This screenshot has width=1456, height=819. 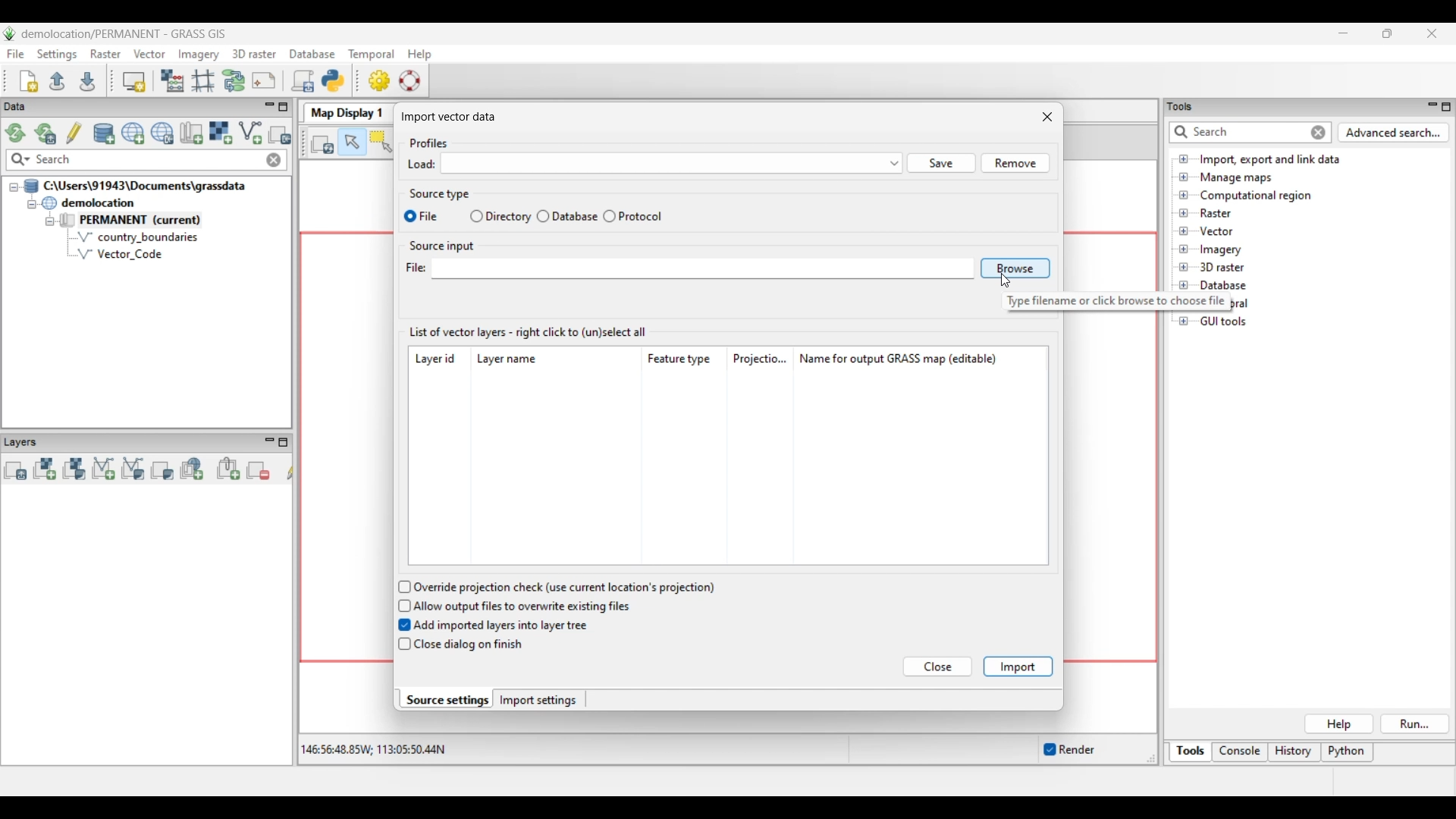 What do you see at coordinates (445, 247) in the screenshot?
I see `Source input` at bounding box center [445, 247].